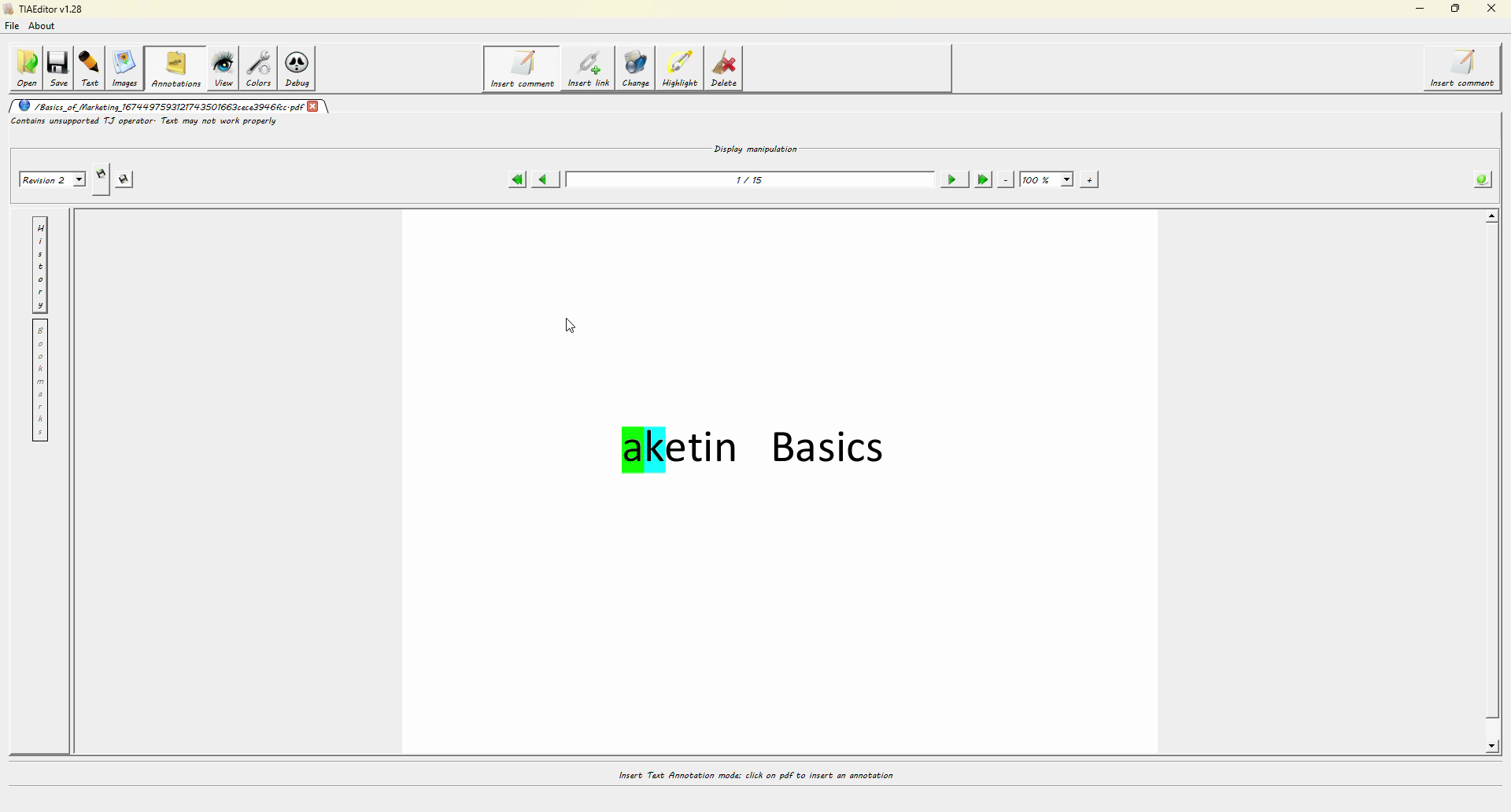  Describe the element at coordinates (981, 179) in the screenshot. I see `last page` at that location.